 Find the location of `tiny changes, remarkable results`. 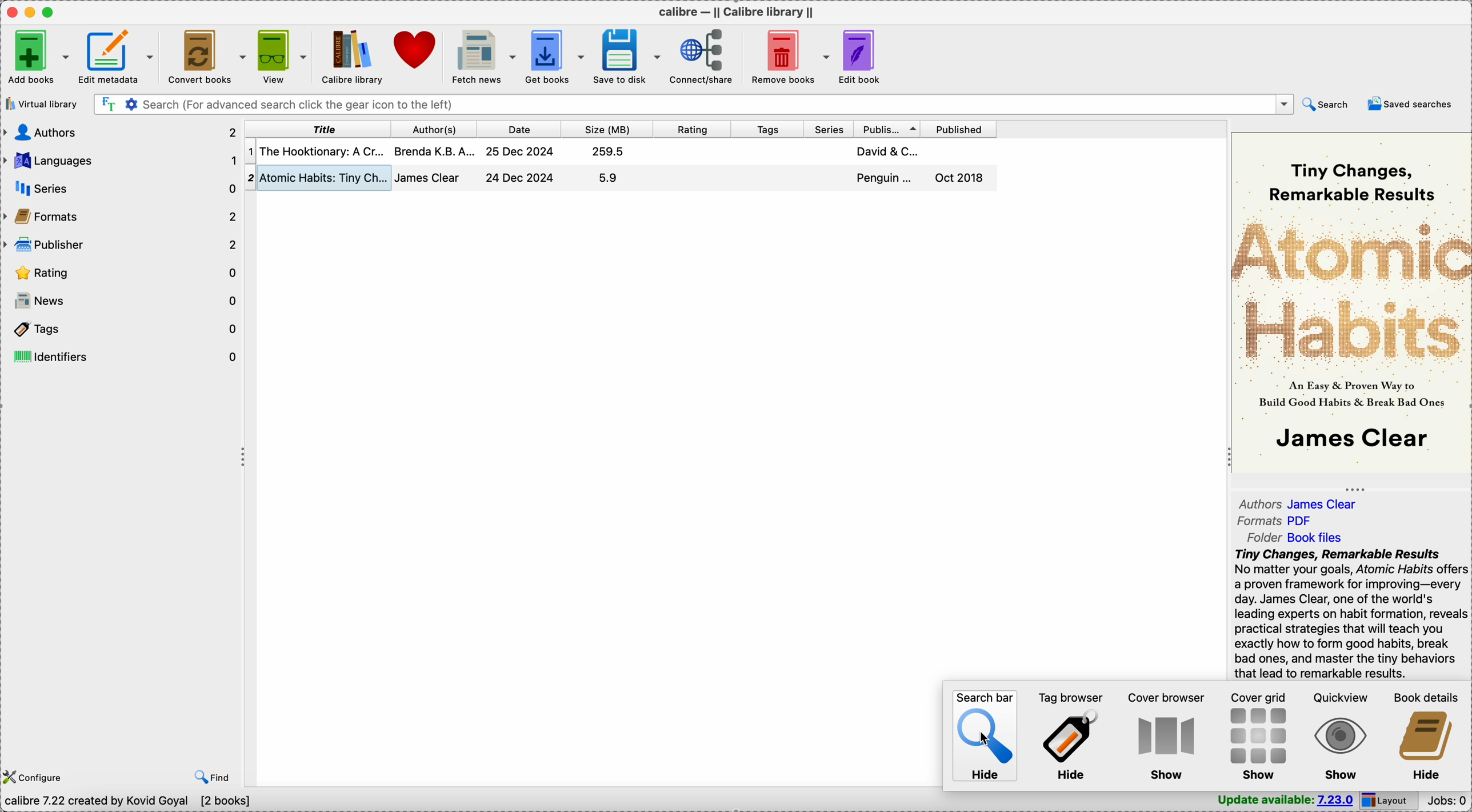

tiny changes, remarkable results is located at coordinates (1351, 182).